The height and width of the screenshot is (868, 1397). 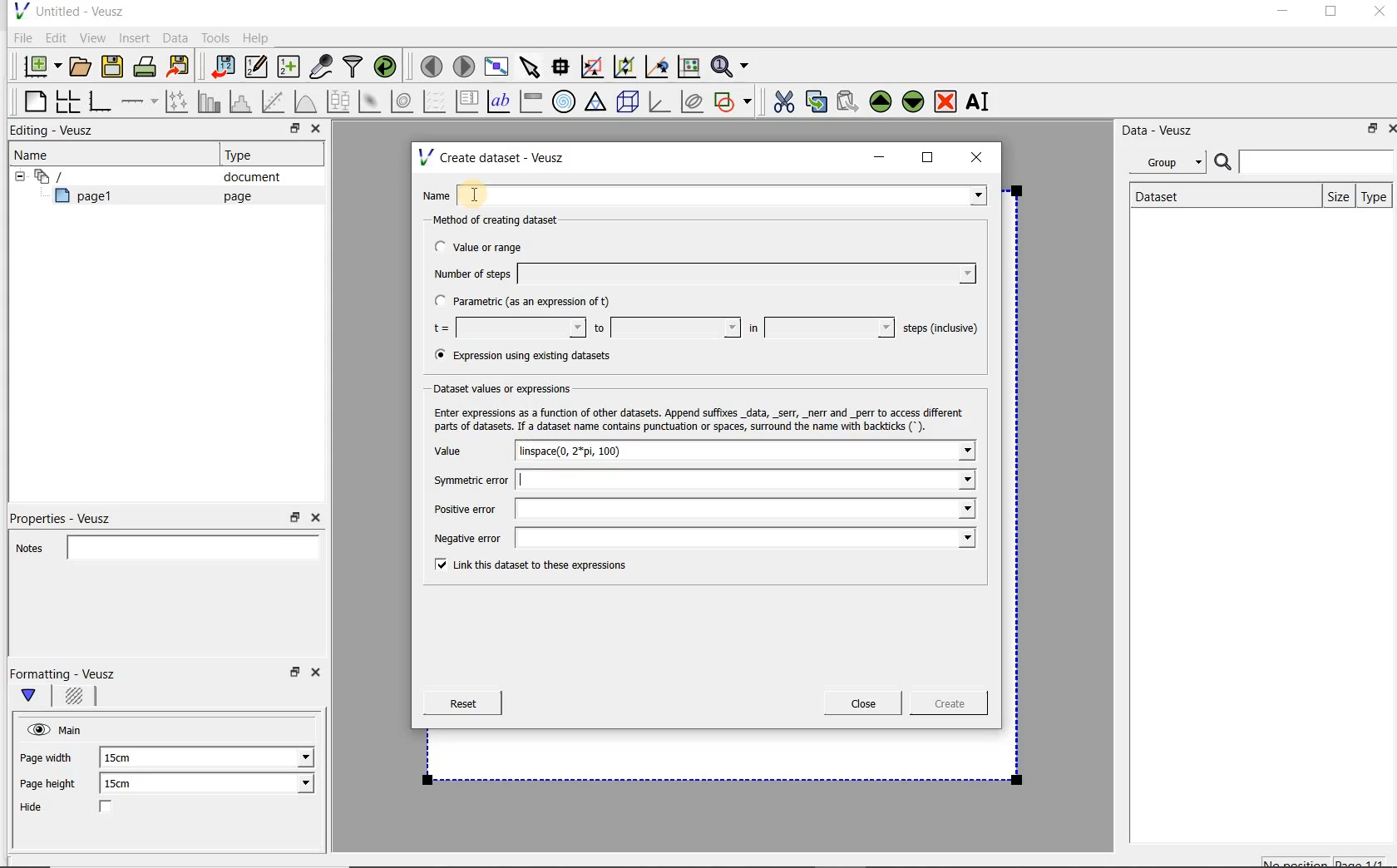 I want to click on Properties - Veusz, so click(x=69, y=515).